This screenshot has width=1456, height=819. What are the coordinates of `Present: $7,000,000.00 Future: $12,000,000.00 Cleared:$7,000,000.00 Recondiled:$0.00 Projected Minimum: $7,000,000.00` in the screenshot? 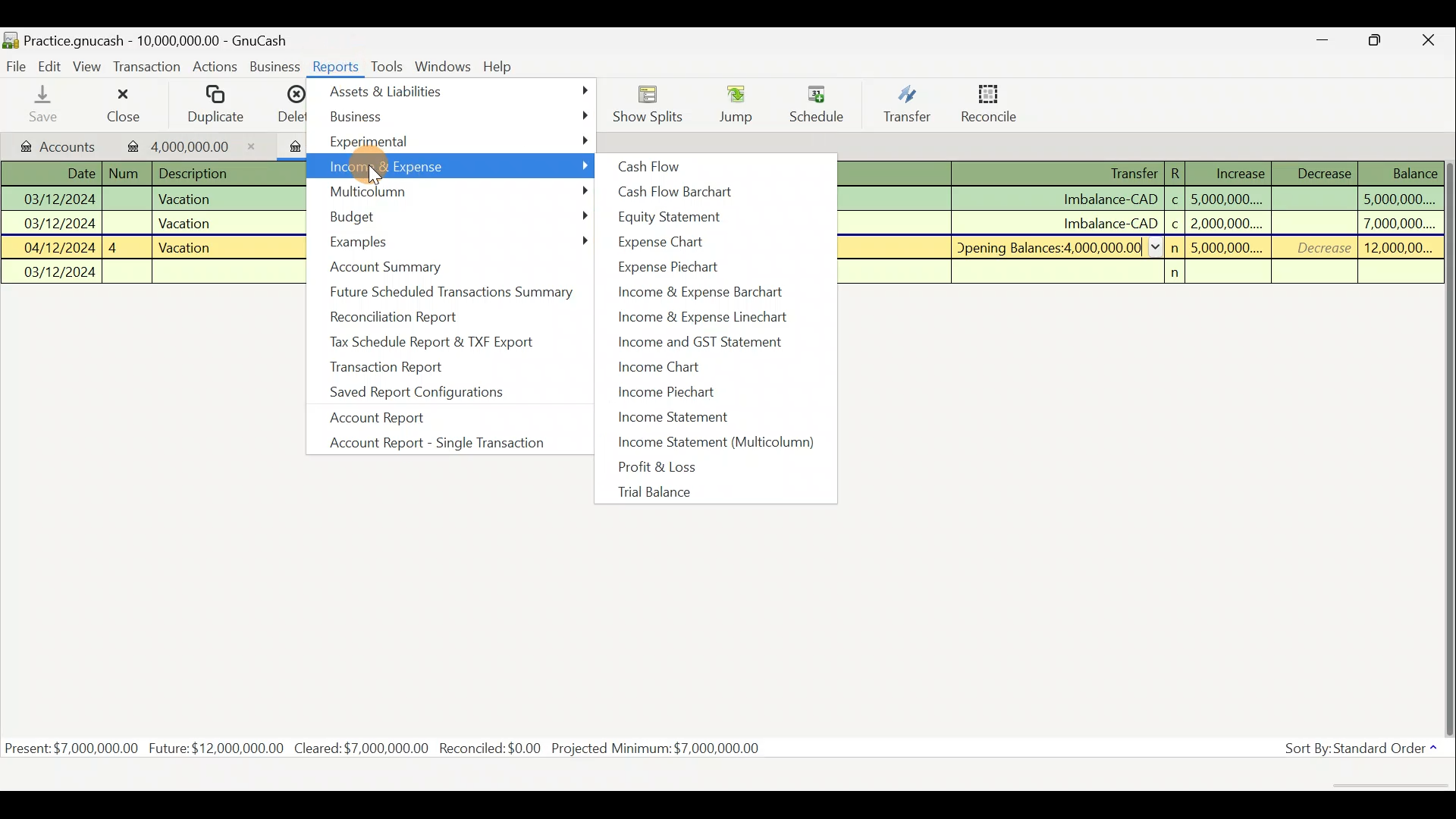 It's located at (386, 747).